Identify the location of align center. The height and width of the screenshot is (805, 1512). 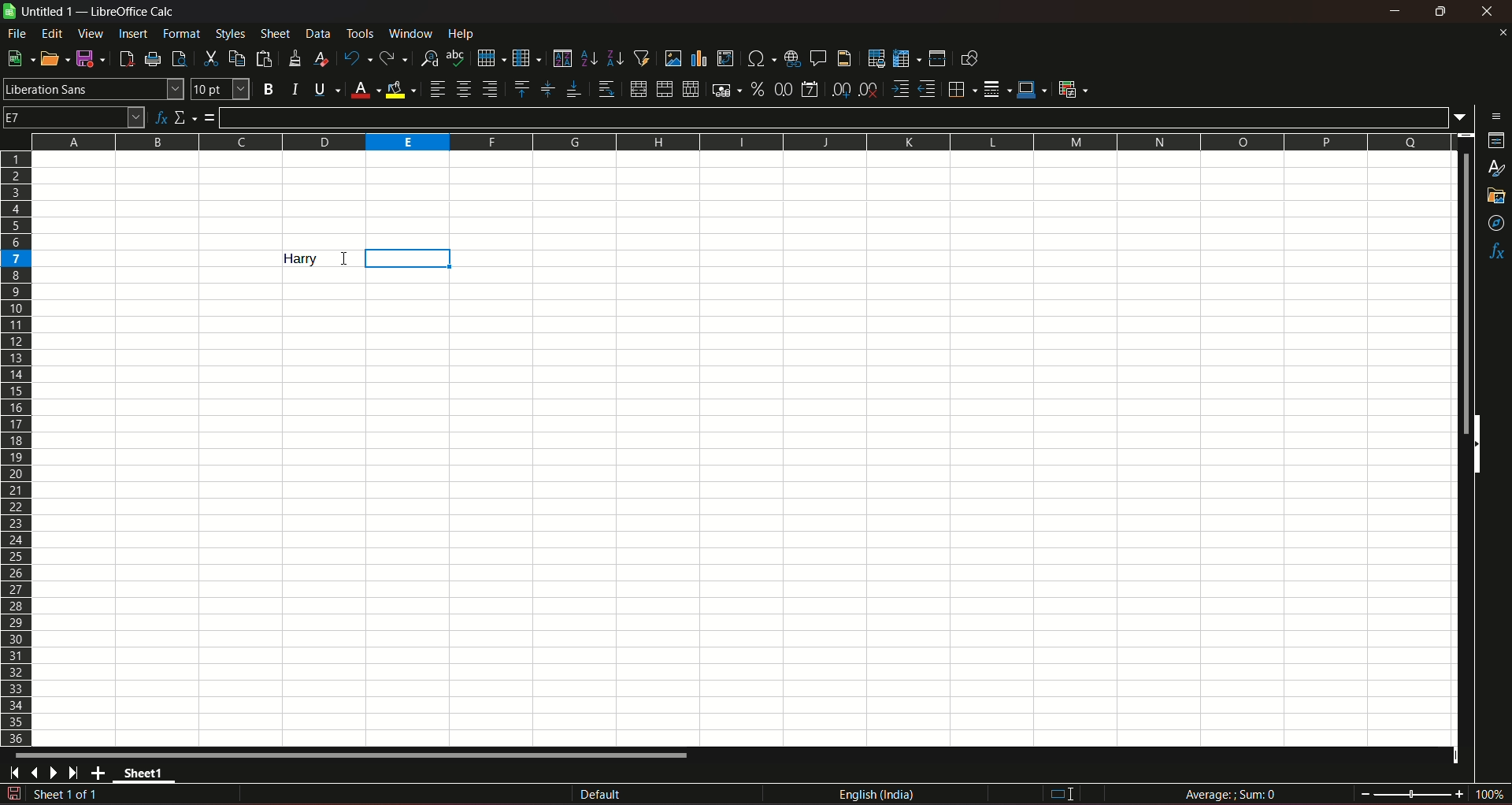
(464, 89).